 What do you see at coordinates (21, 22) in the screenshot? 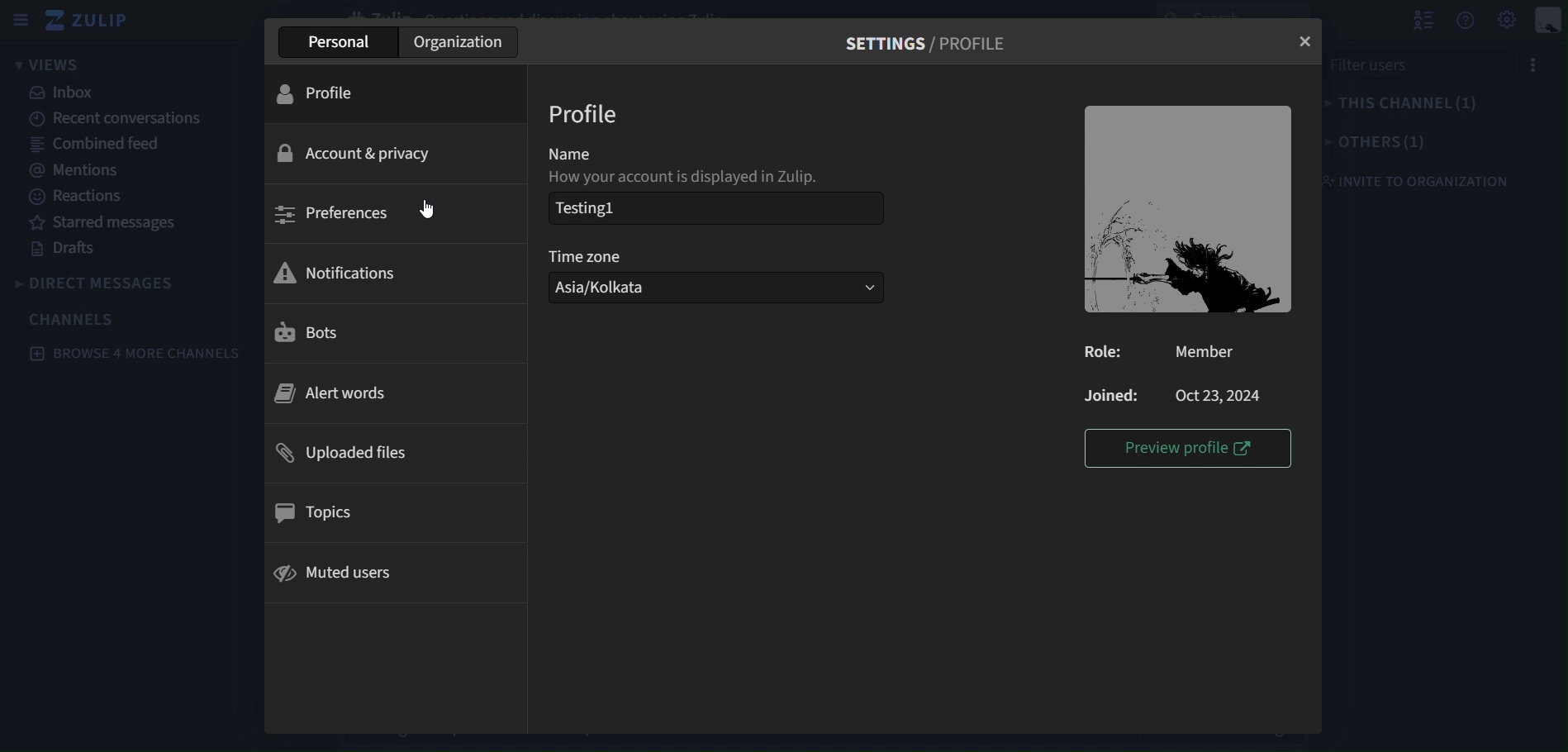
I see `sidebar` at bounding box center [21, 22].